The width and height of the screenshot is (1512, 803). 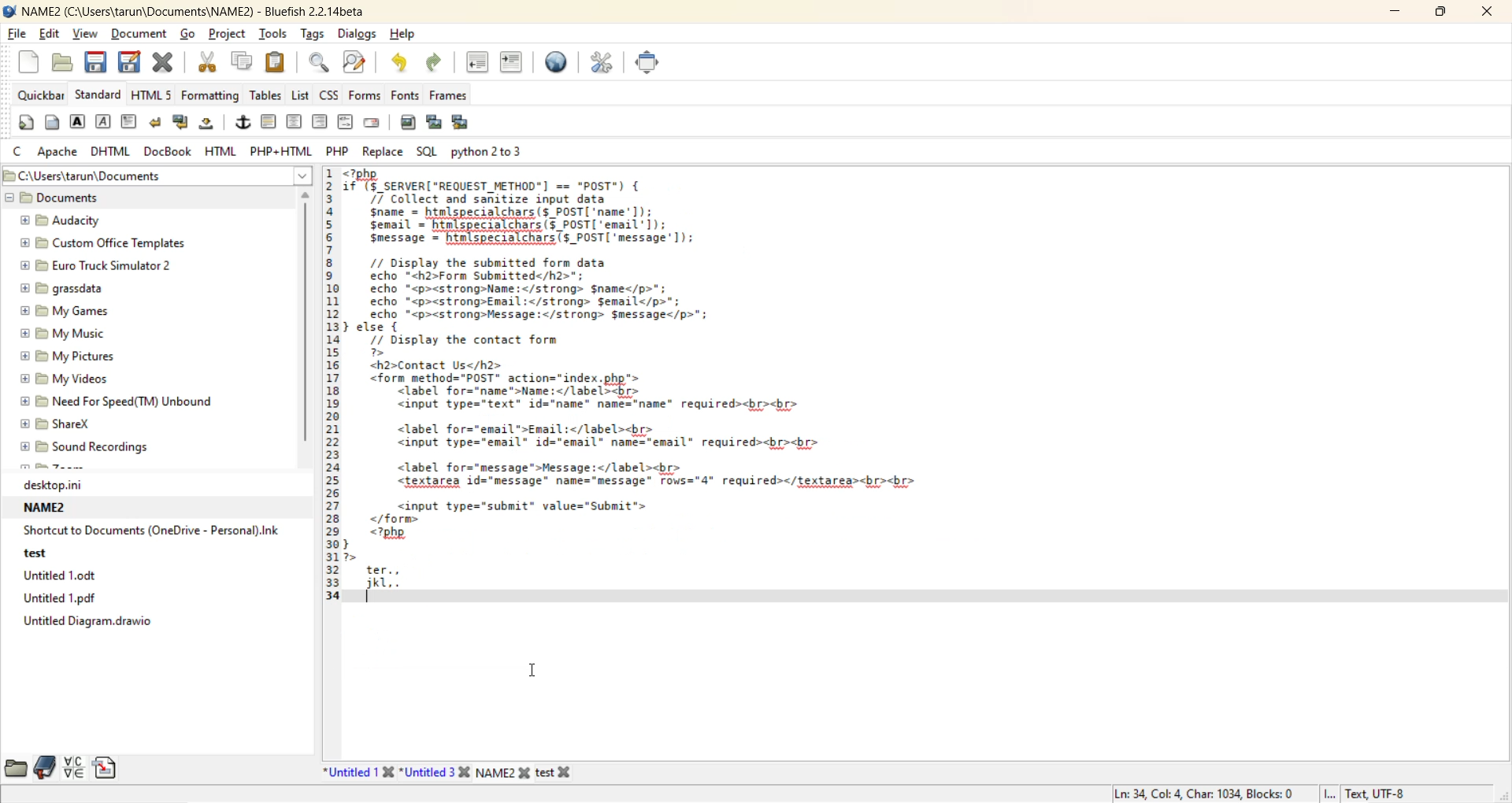 I want to click on minimize, so click(x=1392, y=13).